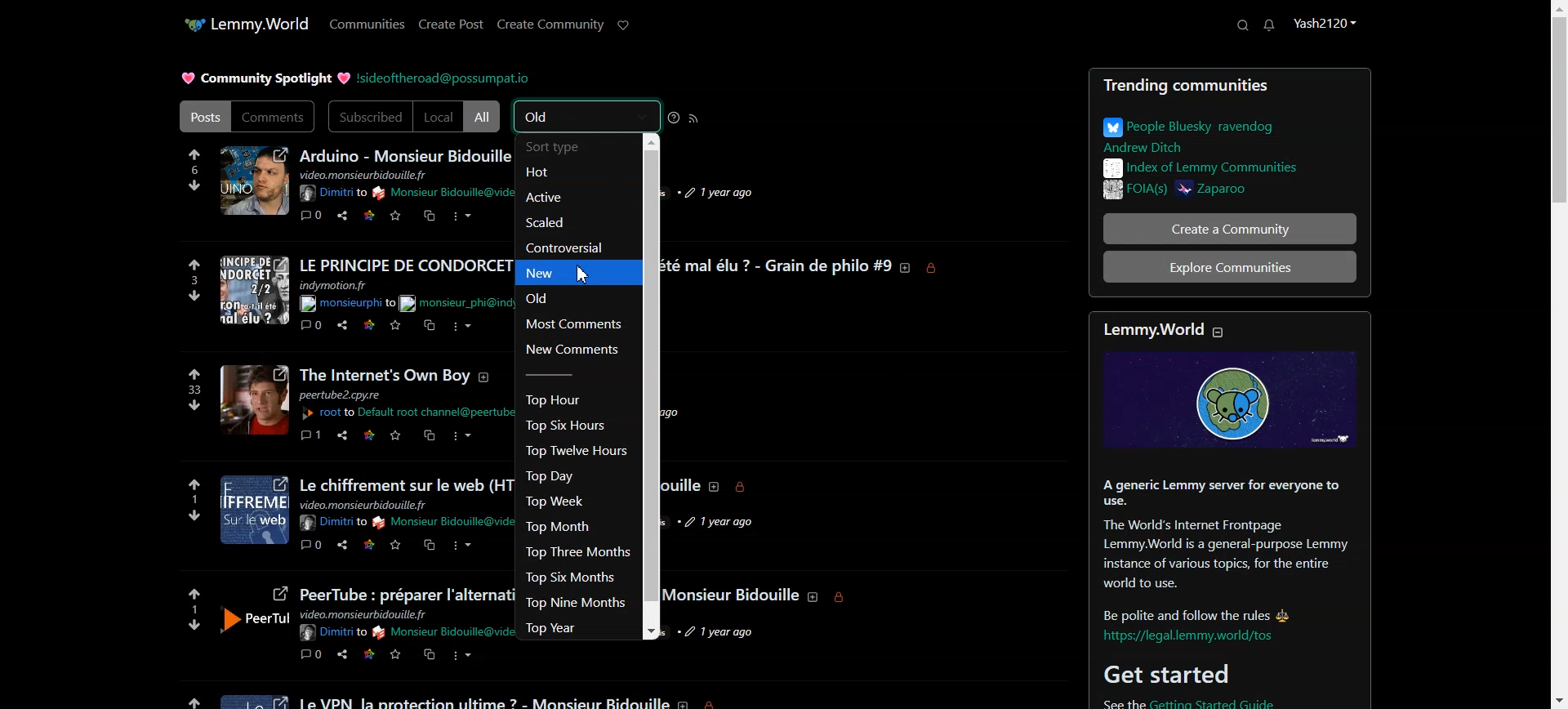 The width and height of the screenshot is (1568, 709). Describe the element at coordinates (461, 326) in the screenshot. I see `` at that location.